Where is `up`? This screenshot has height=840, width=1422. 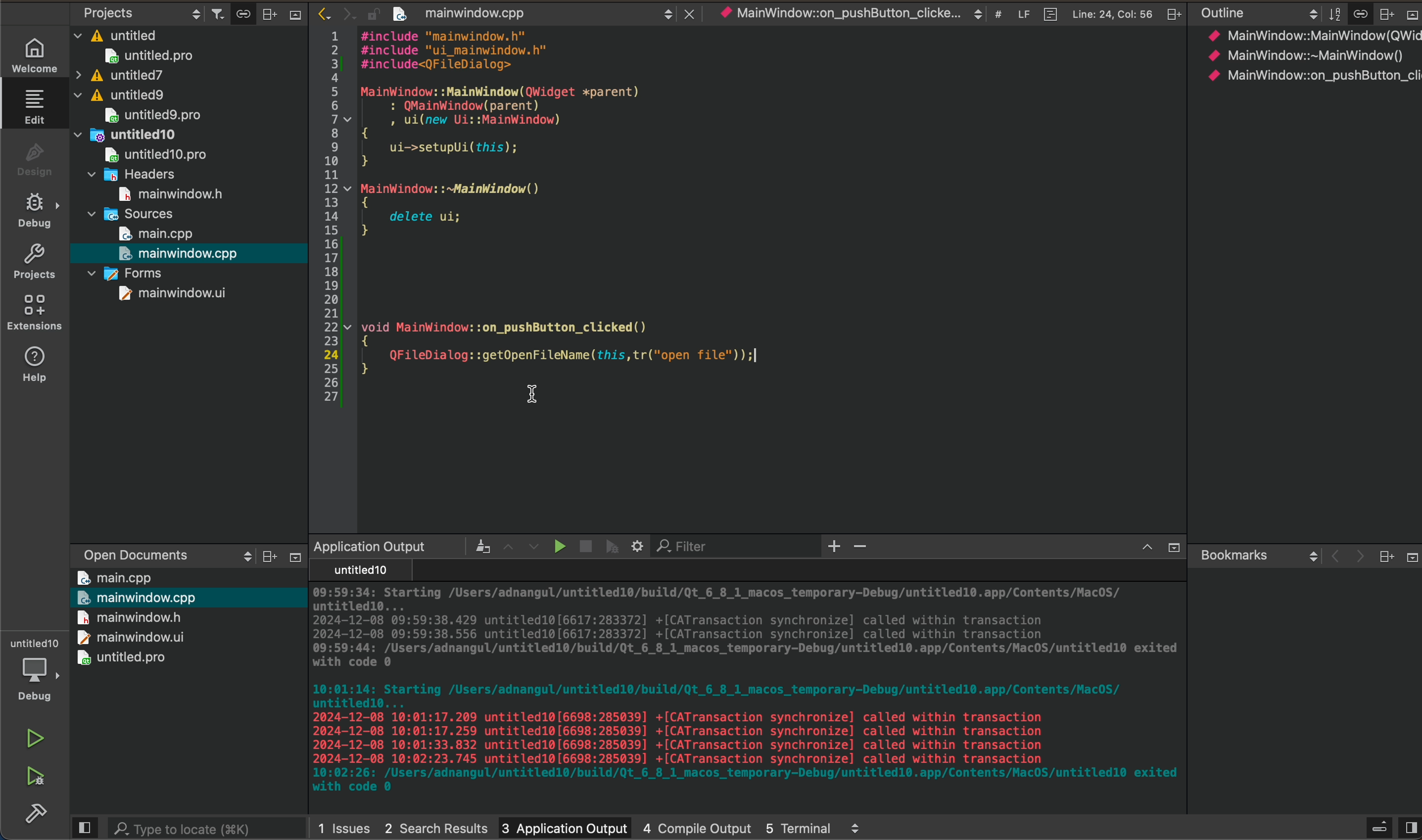
up is located at coordinates (1141, 548).